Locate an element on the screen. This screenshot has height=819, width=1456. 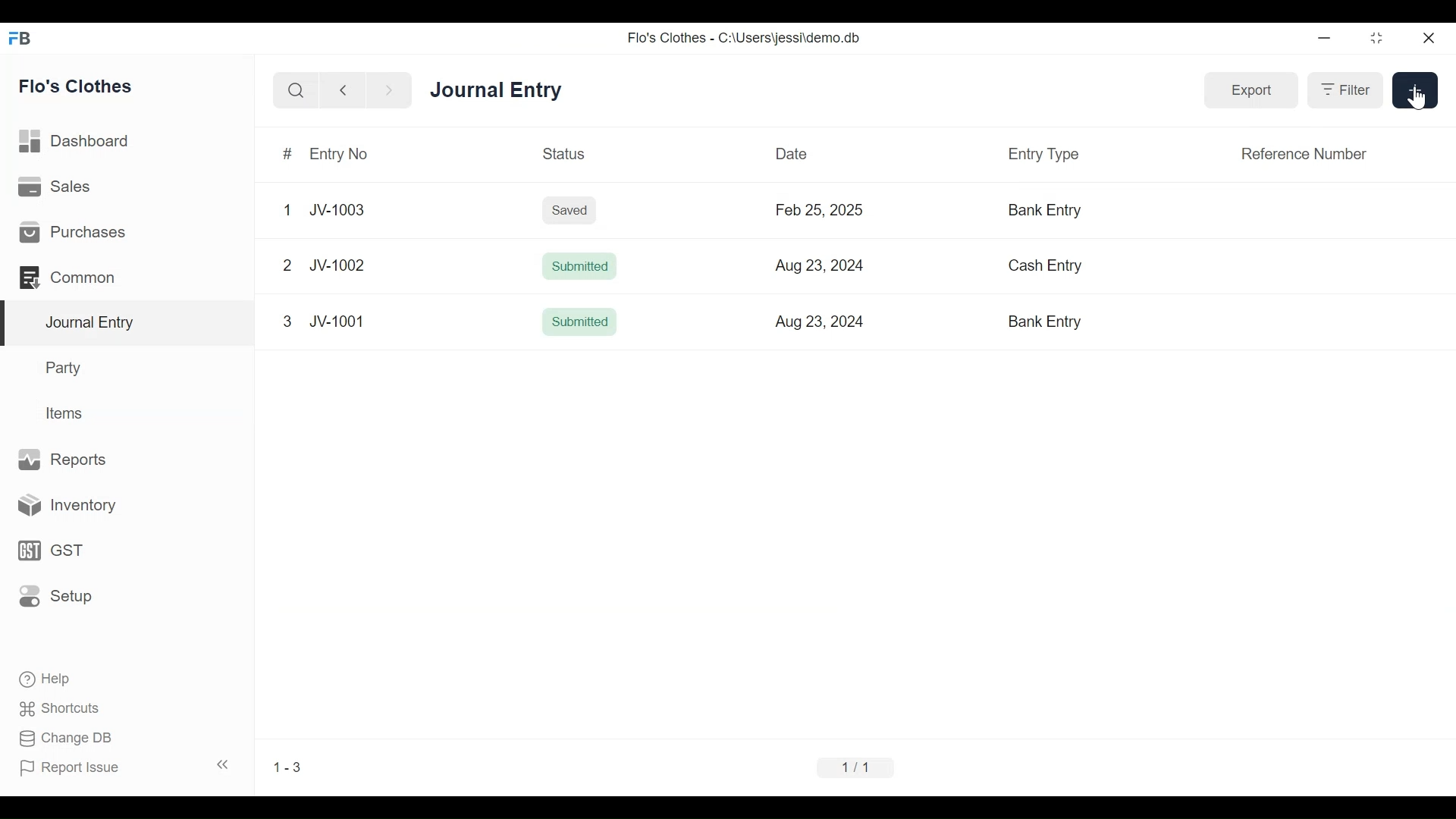
Cursor is located at coordinates (1417, 99).